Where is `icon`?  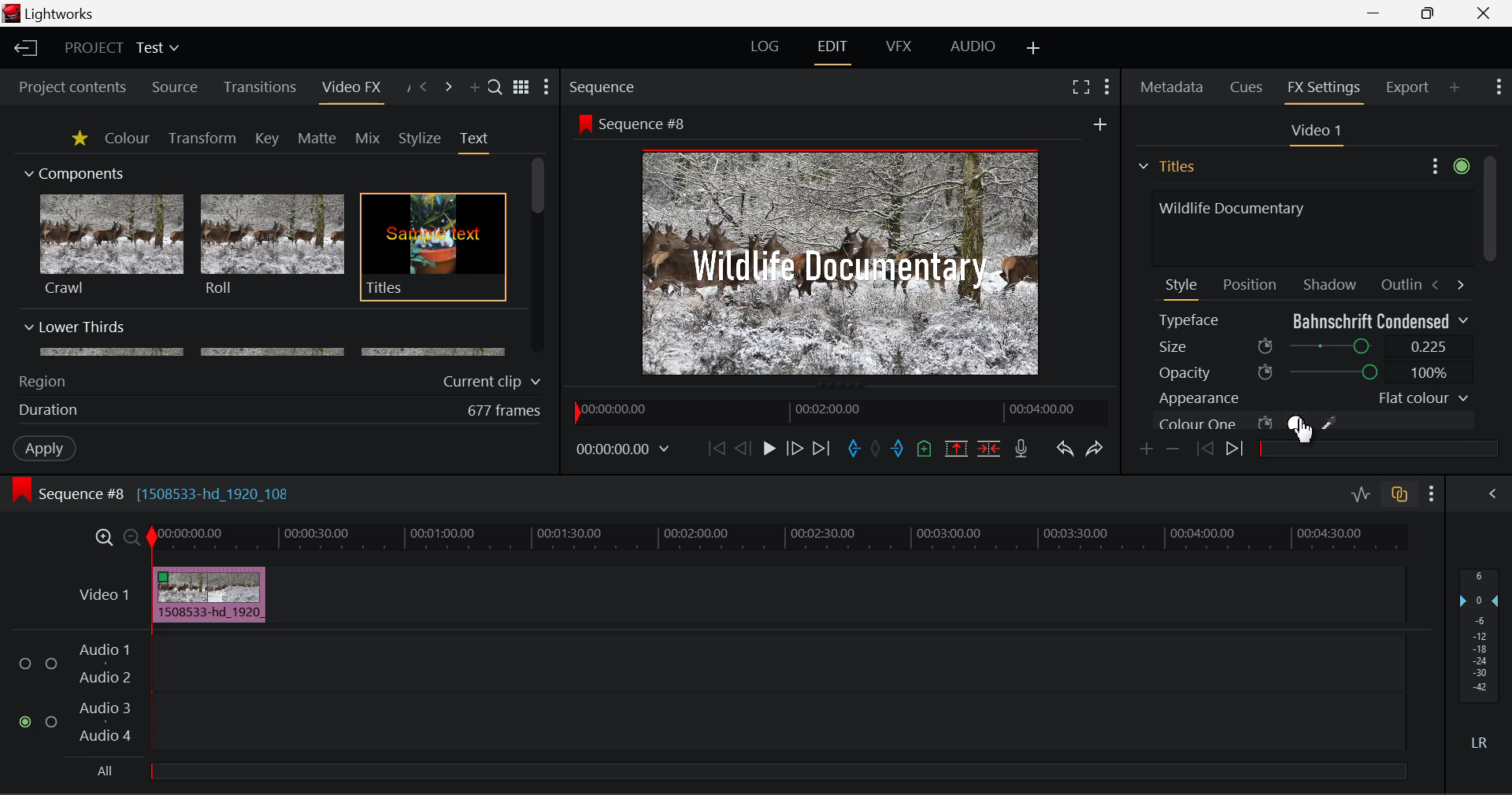
icon is located at coordinates (20, 490).